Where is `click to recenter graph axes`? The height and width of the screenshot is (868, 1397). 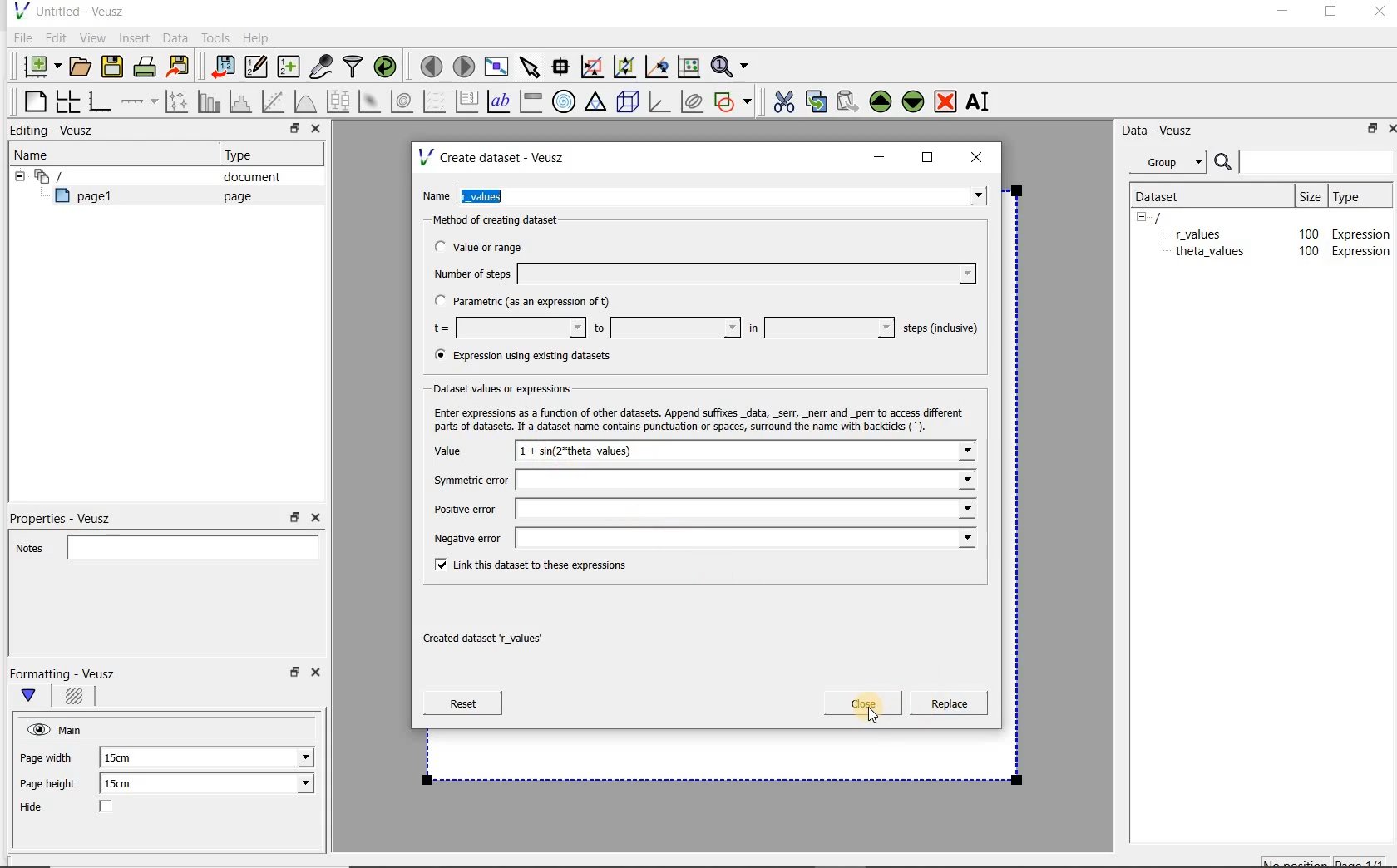
click to recenter graph axes is located at coordinates (658, 67).